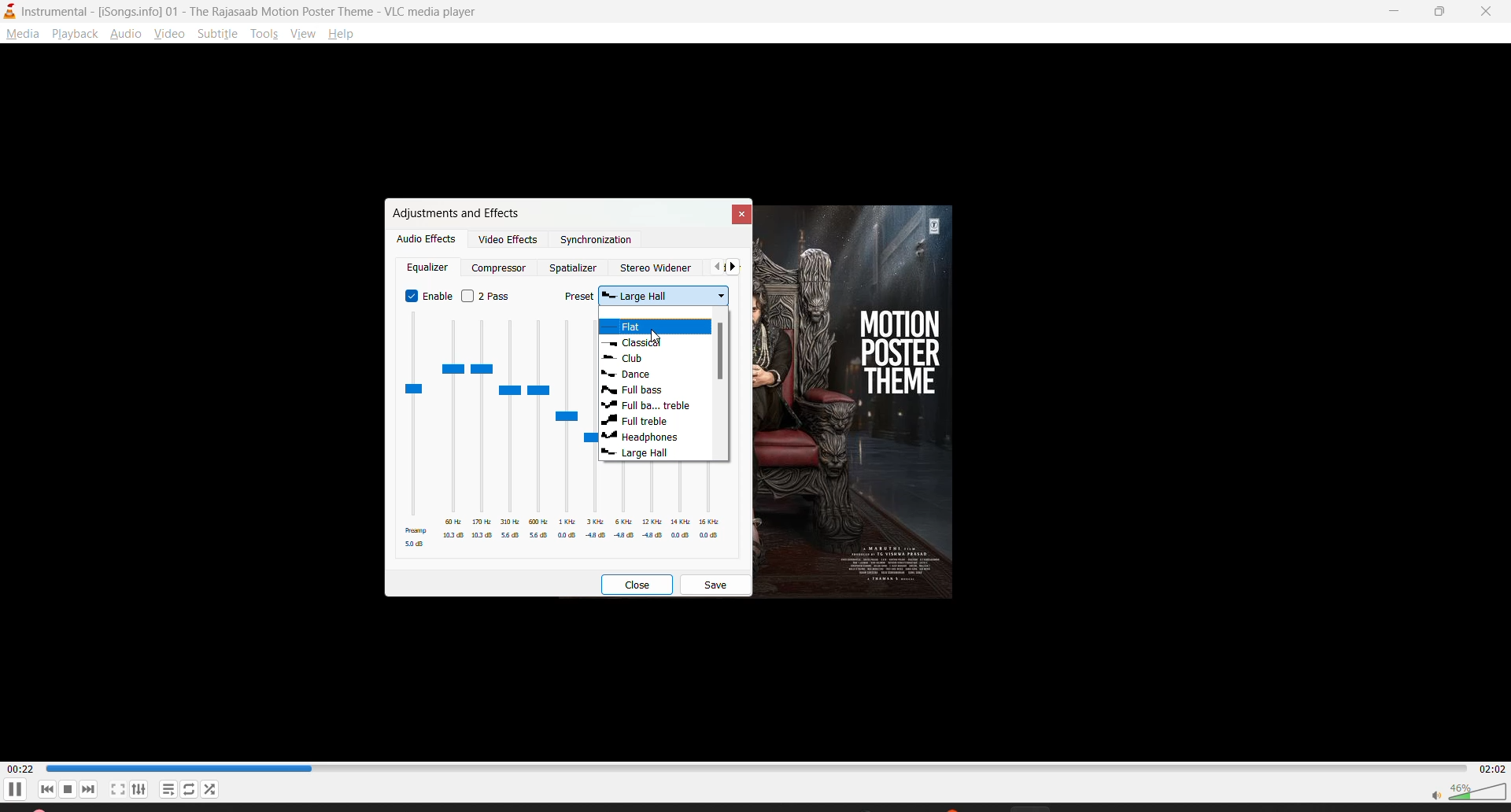 This screenshot has height=812, width=1511. What do you see at coordinates (345, 34) in the screenshot?
I see `help` at bounding box center [345, 34].